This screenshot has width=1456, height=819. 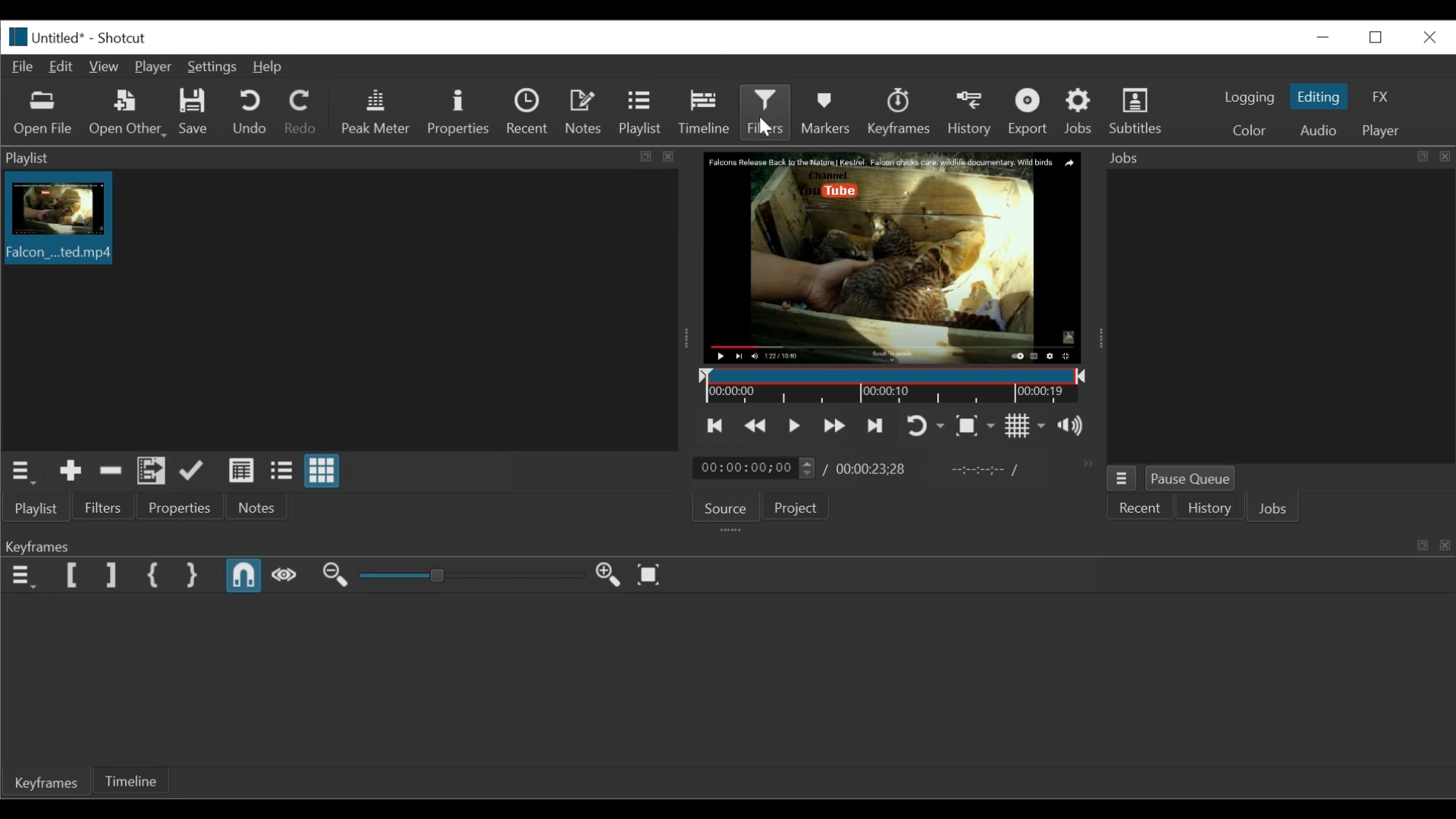 What do you see at coordinates (754, 425) in the screenshot?
I see `Play backward quickly` at bounding box center [754, 425].